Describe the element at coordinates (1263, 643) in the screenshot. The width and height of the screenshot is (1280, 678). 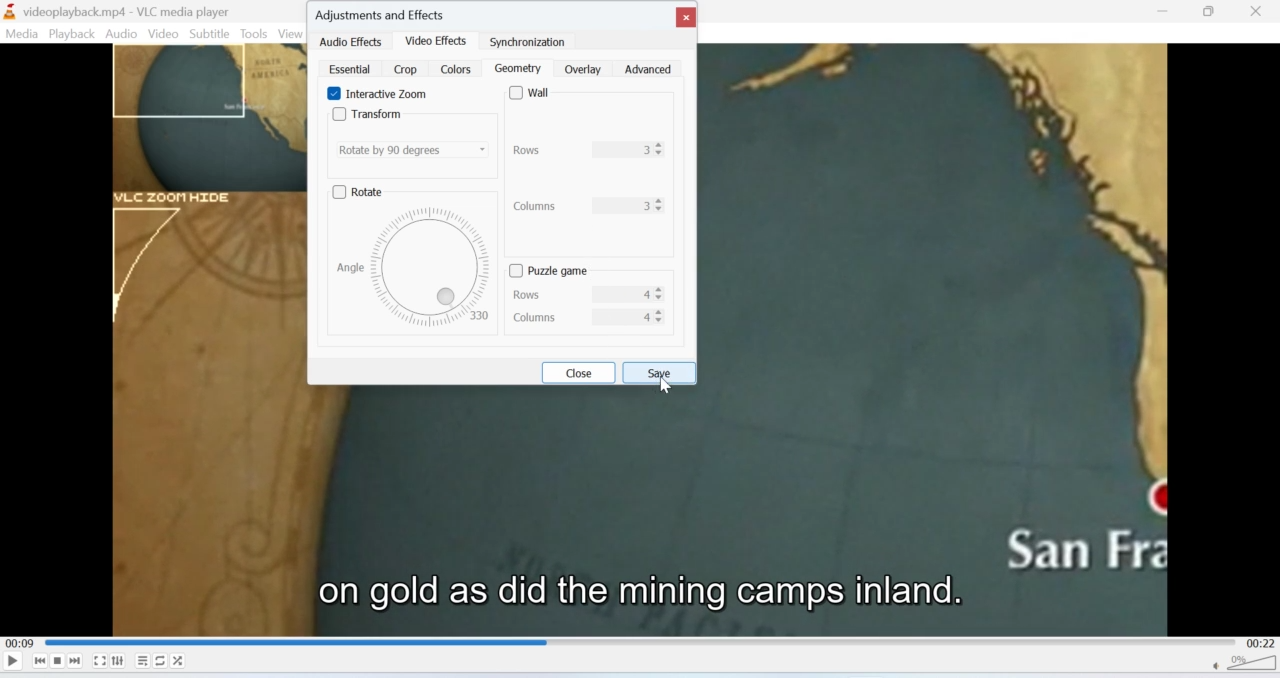
I see `00:22` at that location.